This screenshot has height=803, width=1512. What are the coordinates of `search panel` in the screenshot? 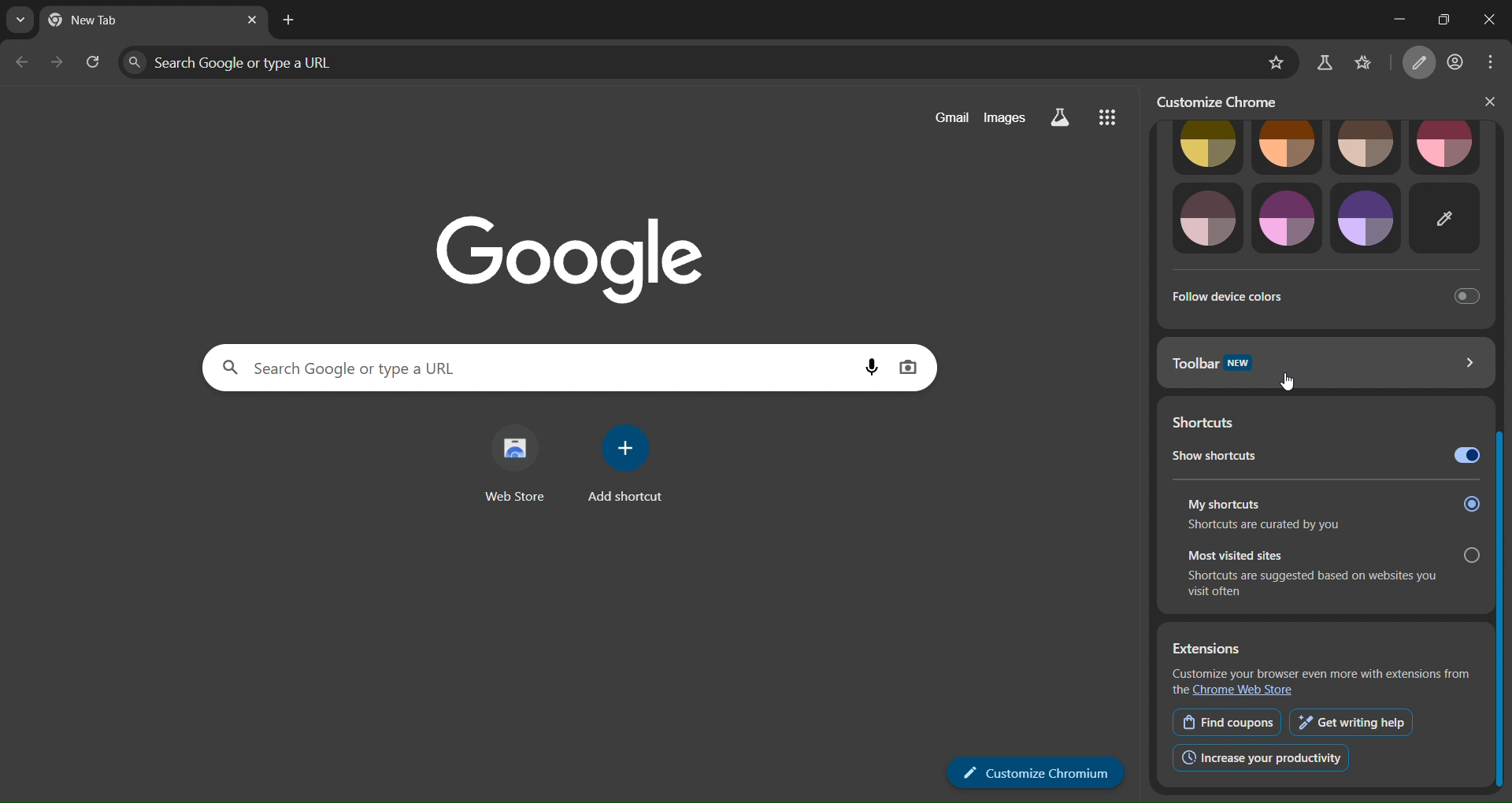 It's located at (256, 61).